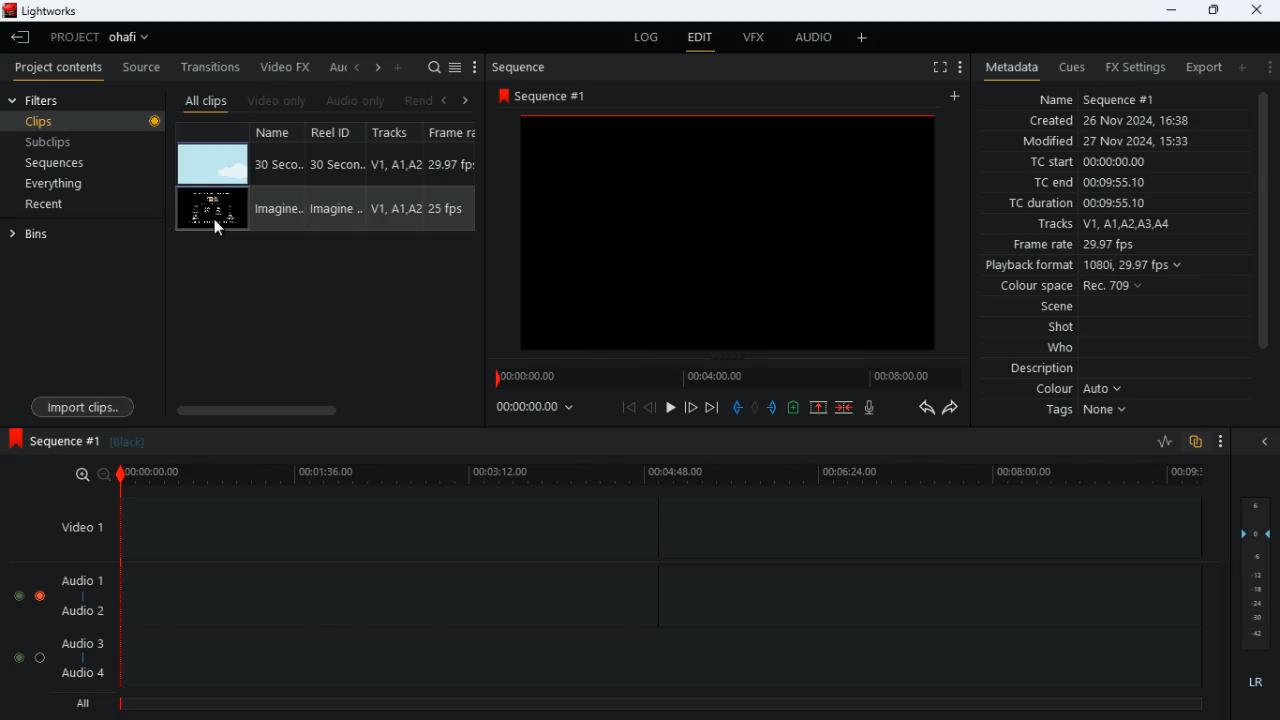  Describe the element at coordinates (39, 238) in the screenshot. I see `bins` at that location.